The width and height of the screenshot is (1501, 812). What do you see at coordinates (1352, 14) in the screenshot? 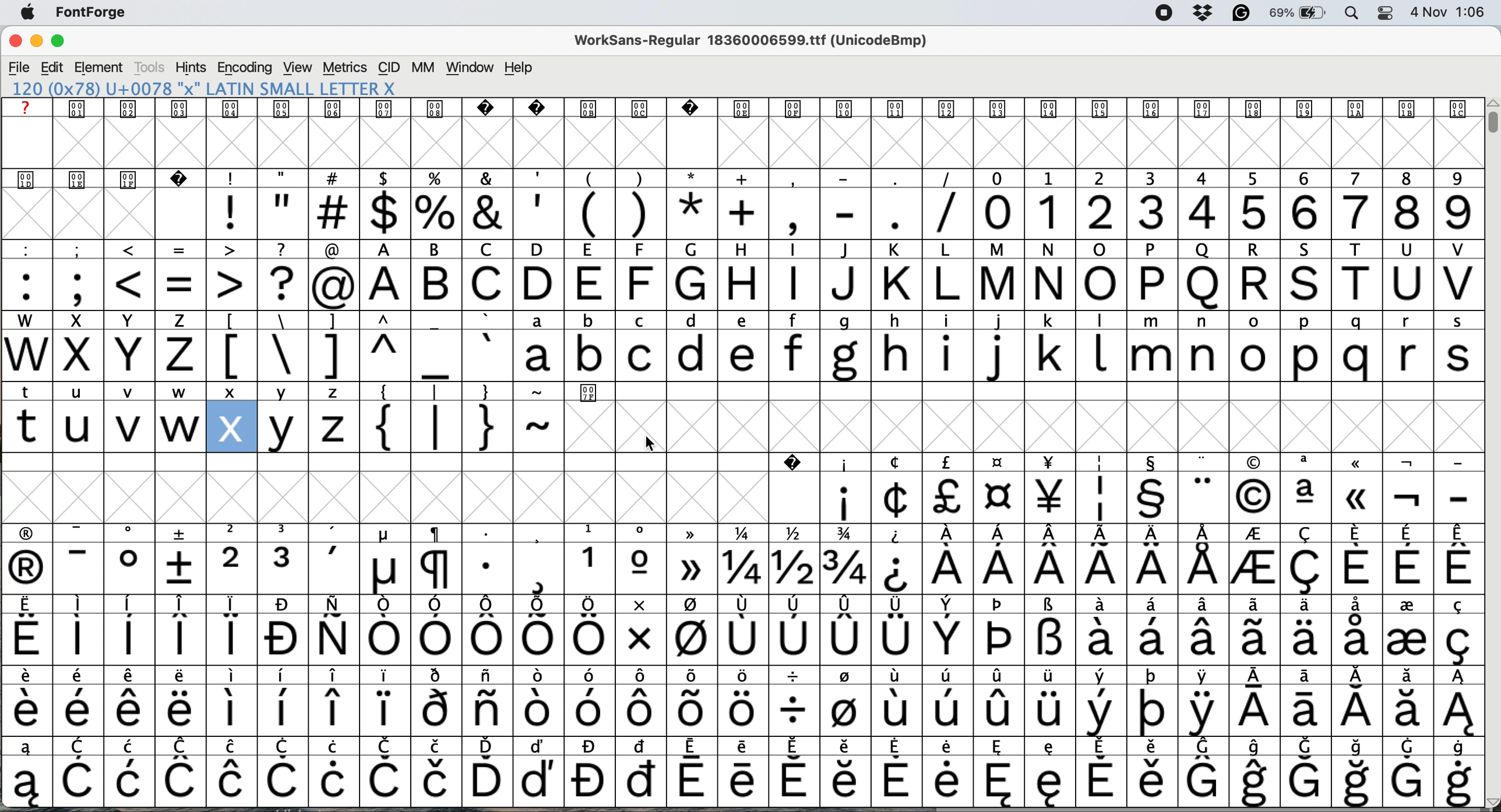
I see `spotlight search` at bounding box center [1352, 14].